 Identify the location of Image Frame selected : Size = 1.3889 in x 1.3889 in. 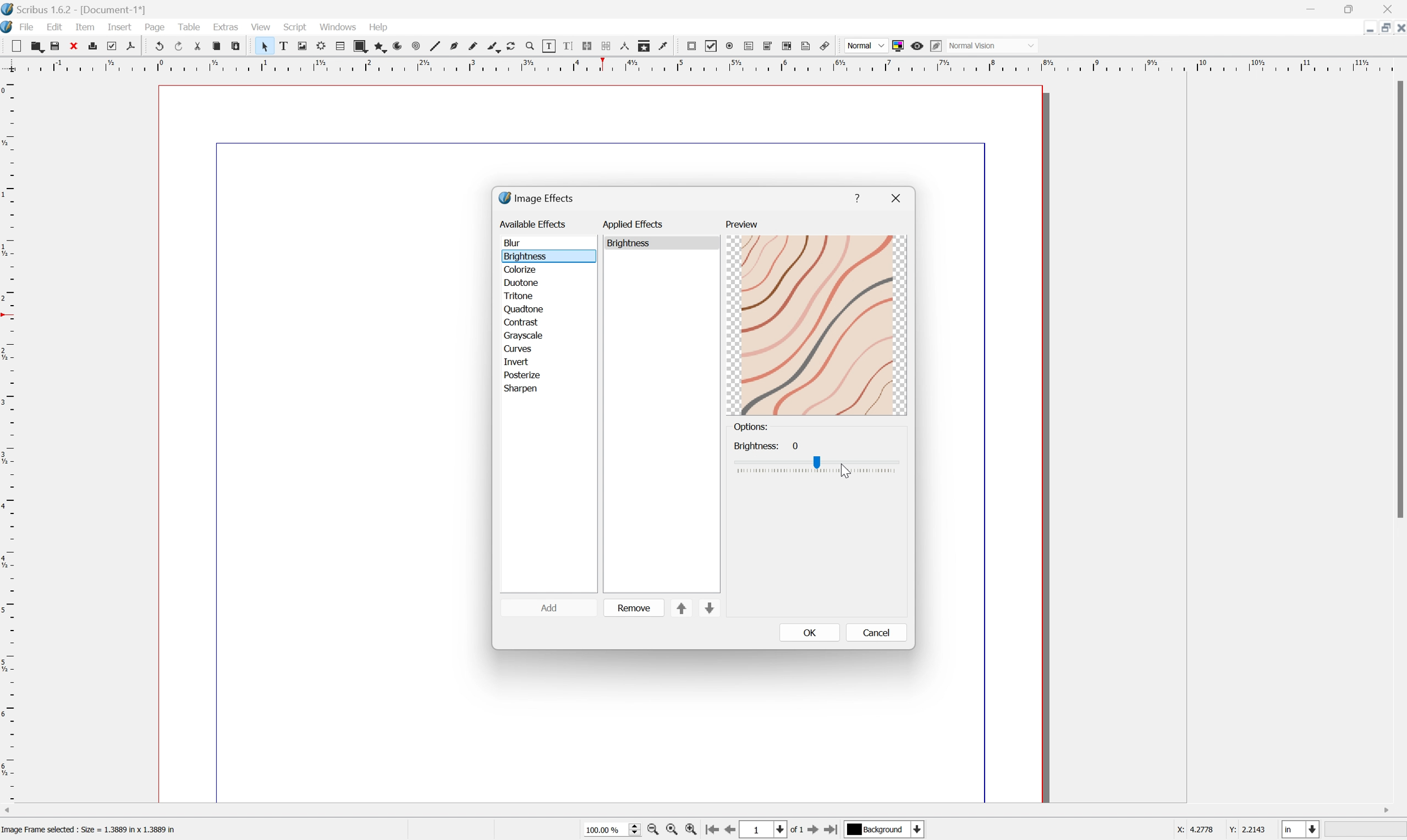
(89, 830).